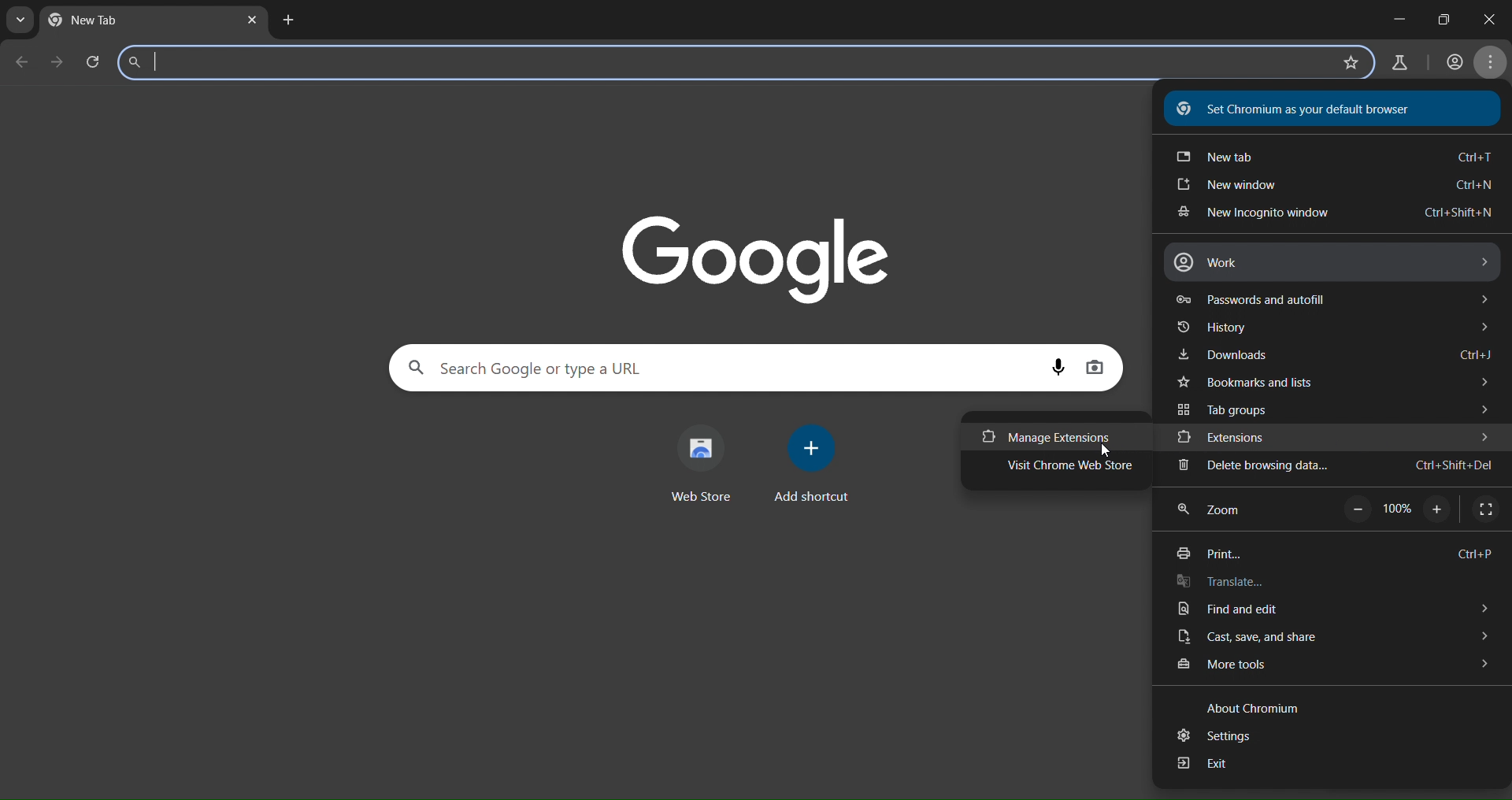 The height and width of the screenshot is (800, 1512). I want to click on new tab, so click(287, 20).